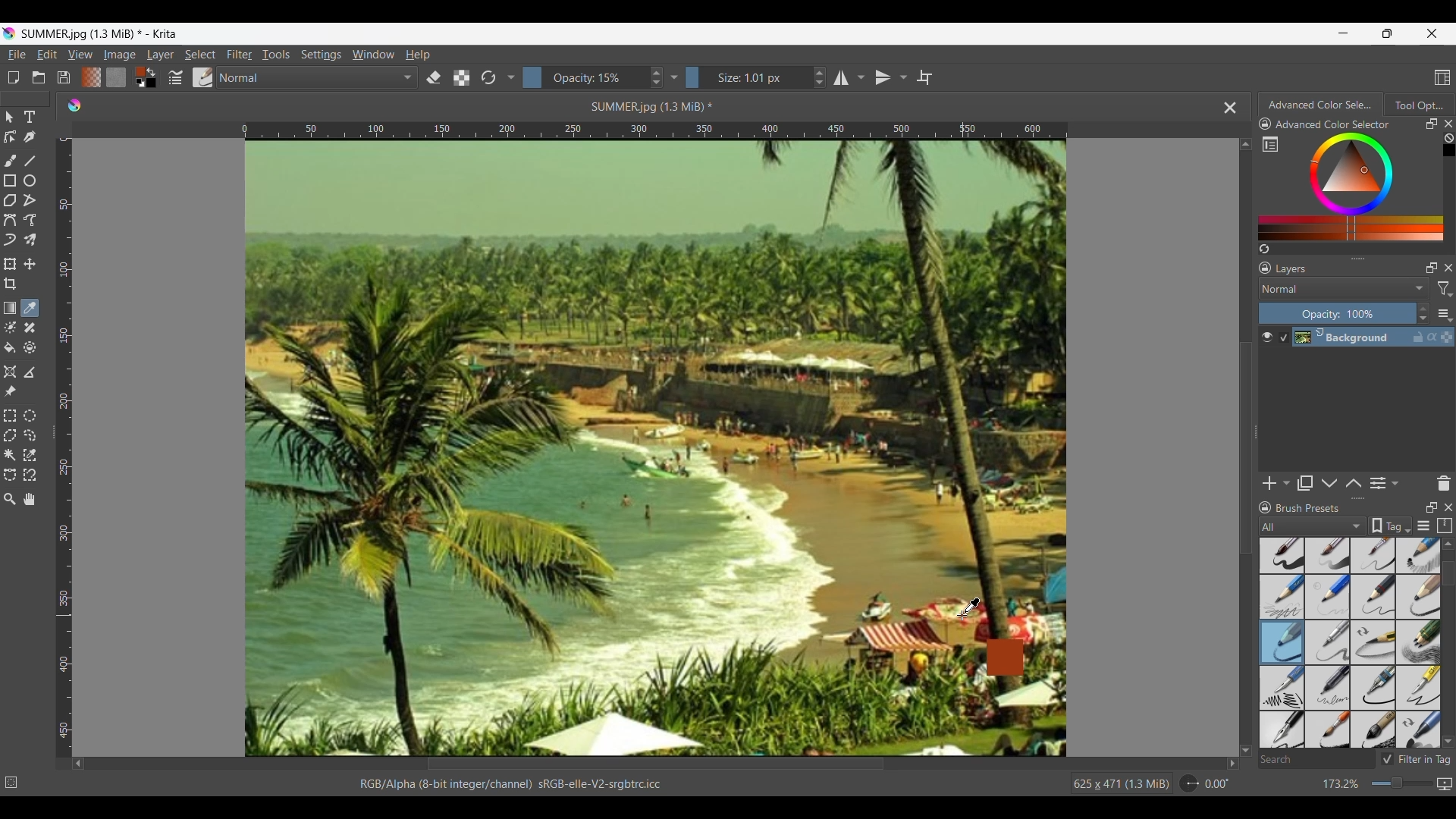 The width and height of the screenshot is (1456, 819). What do you see at coordinates (11, 783) in the screenshot?
I see `No selection` at bounding box center [11, 783].